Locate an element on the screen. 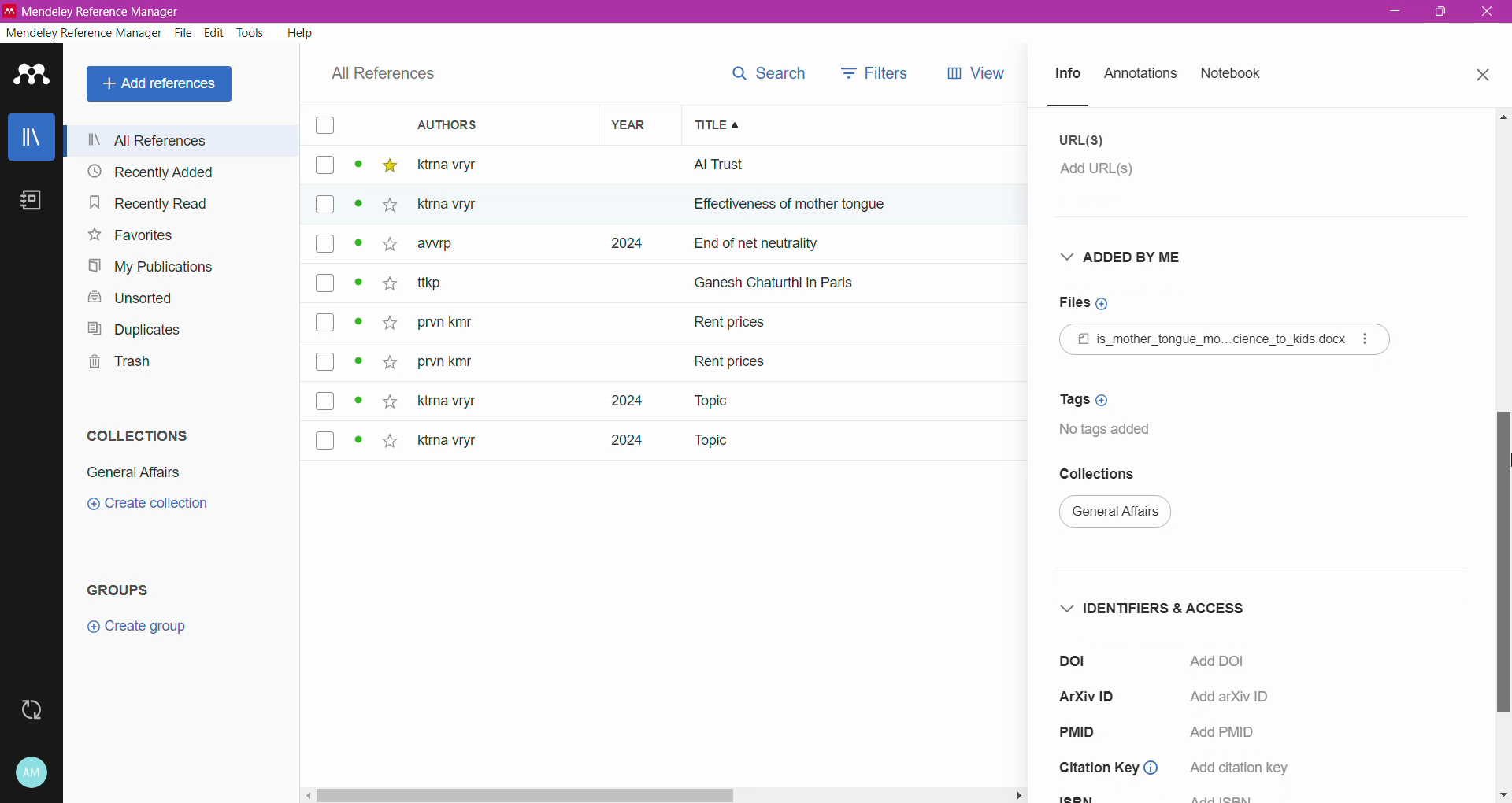 The height and width of the screenshot is (803, 1512). Notebook is located at coordinates (1232, 74).